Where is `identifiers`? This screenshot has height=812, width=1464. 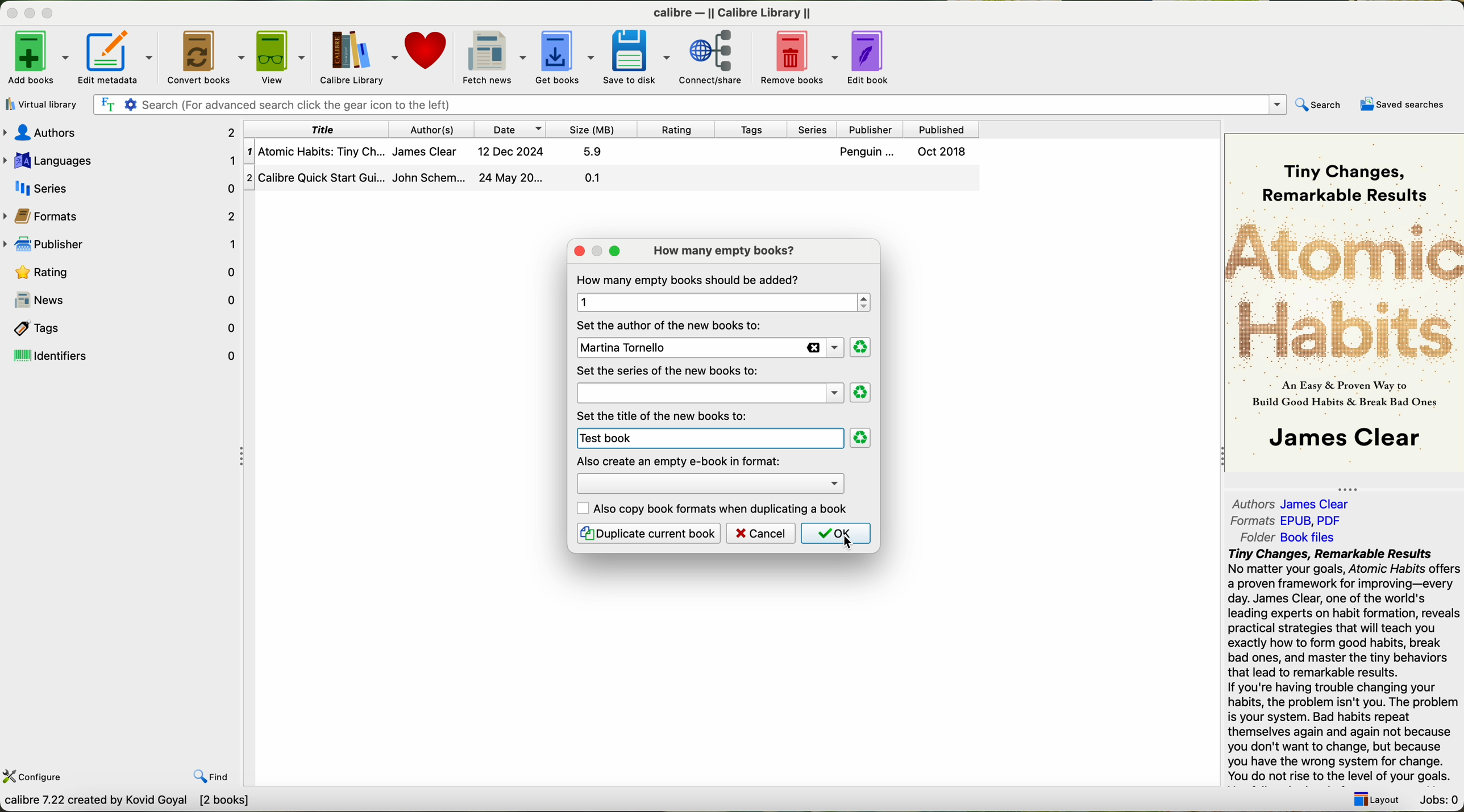
identifiers is located at coordinates (123, 356).